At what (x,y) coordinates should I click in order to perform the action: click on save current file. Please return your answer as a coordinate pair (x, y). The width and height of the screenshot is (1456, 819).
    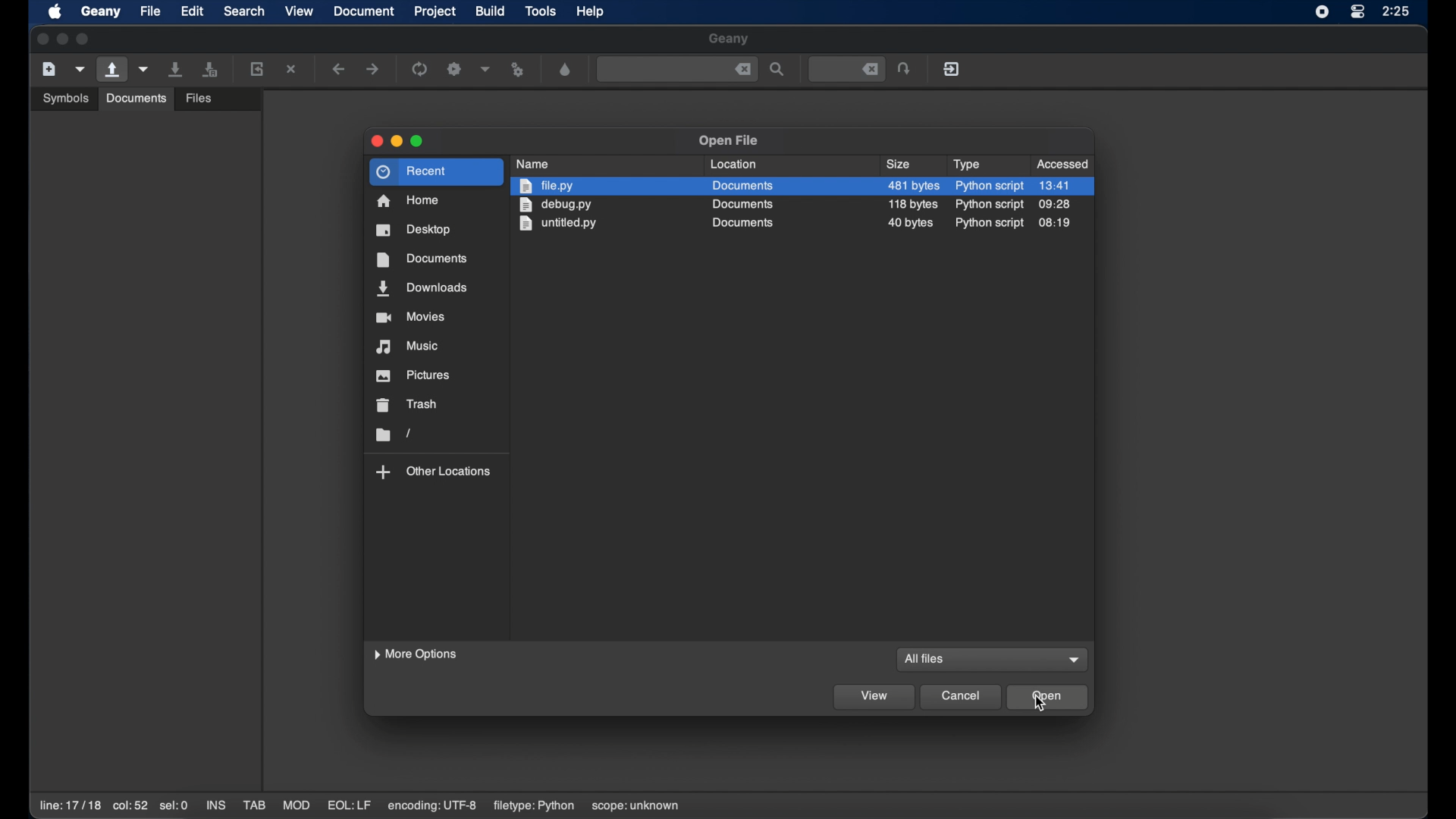
    Looking at the image, I should click on (177, 68).